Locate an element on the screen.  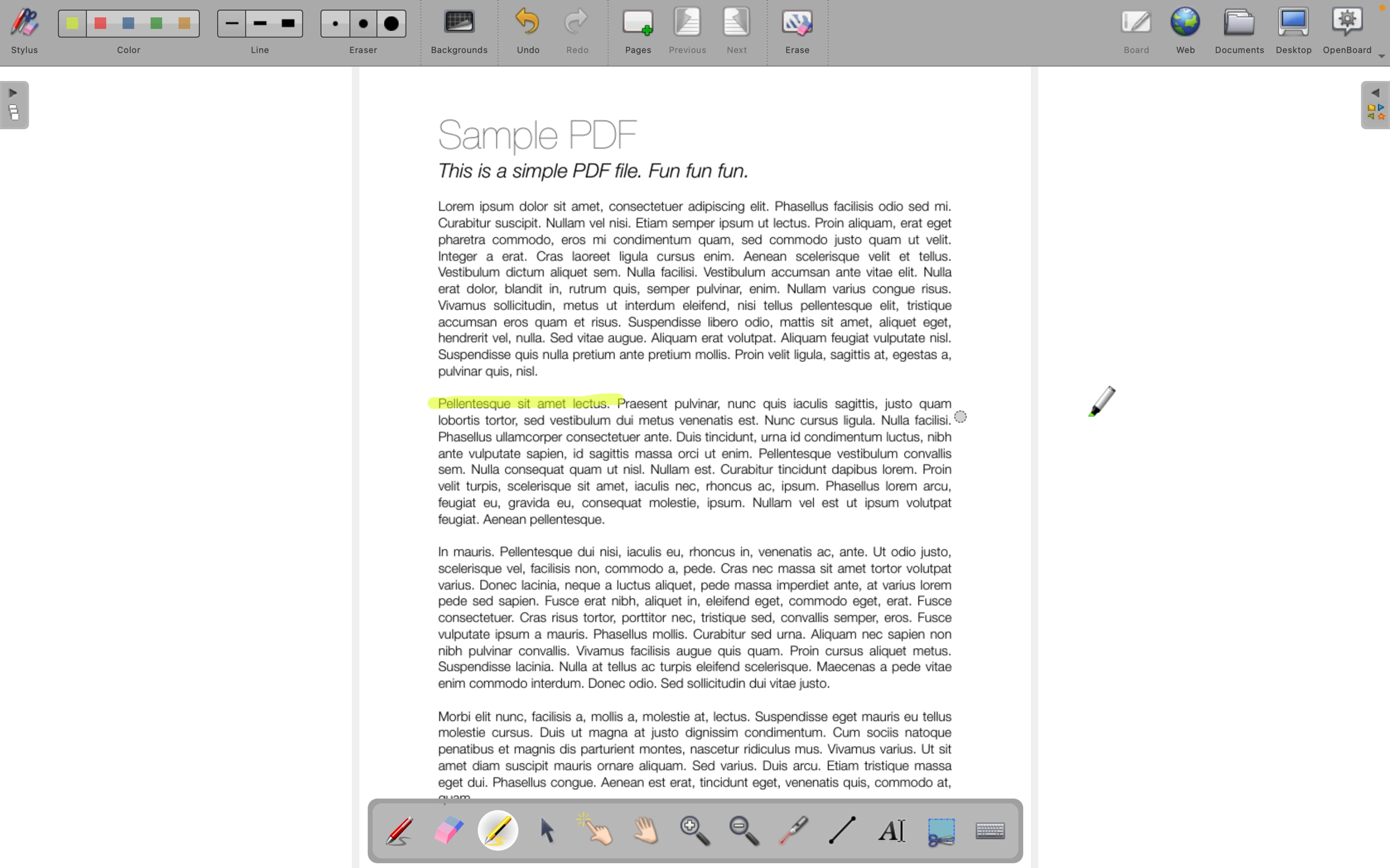
interact with items is located at coordinates (601, 835).